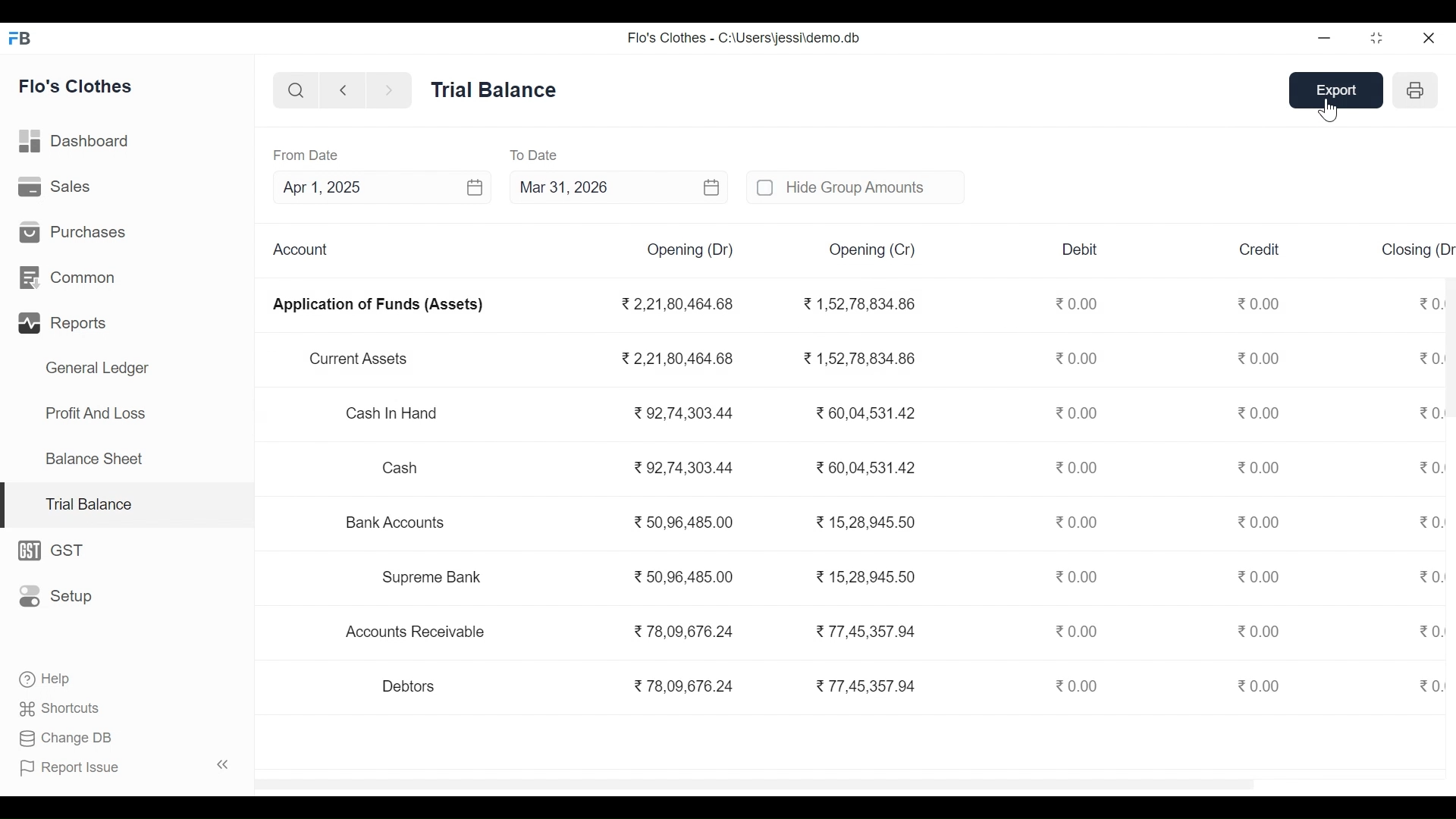 This screenshot has height=819, width=1456. I want to click on Mar 31, 2026, so click(620, 187).